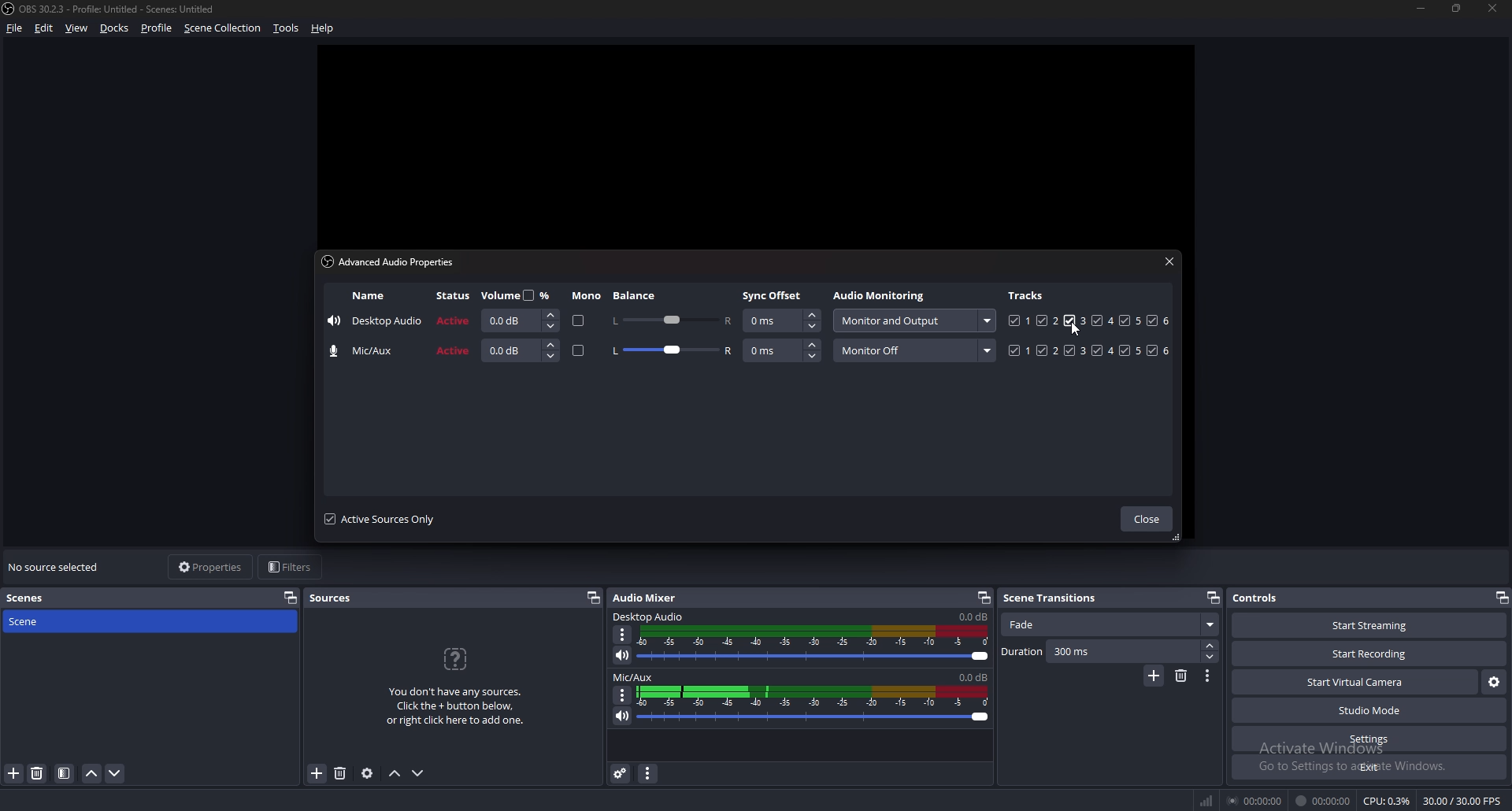 The image size is (1512, 811). I want to click on network, so click(1209, 798).